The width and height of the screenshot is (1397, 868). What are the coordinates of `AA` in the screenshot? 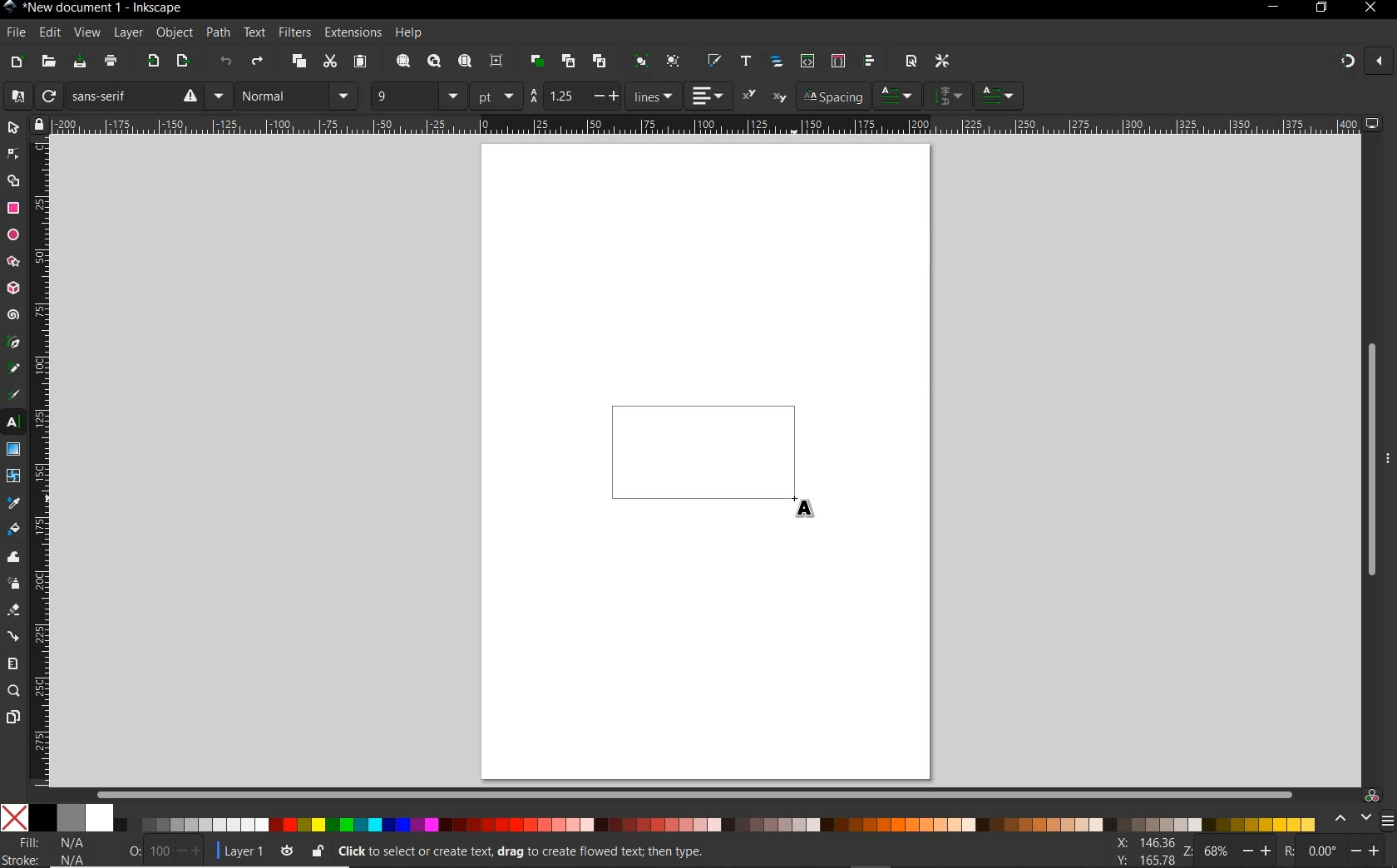 It's located at (533, 96).